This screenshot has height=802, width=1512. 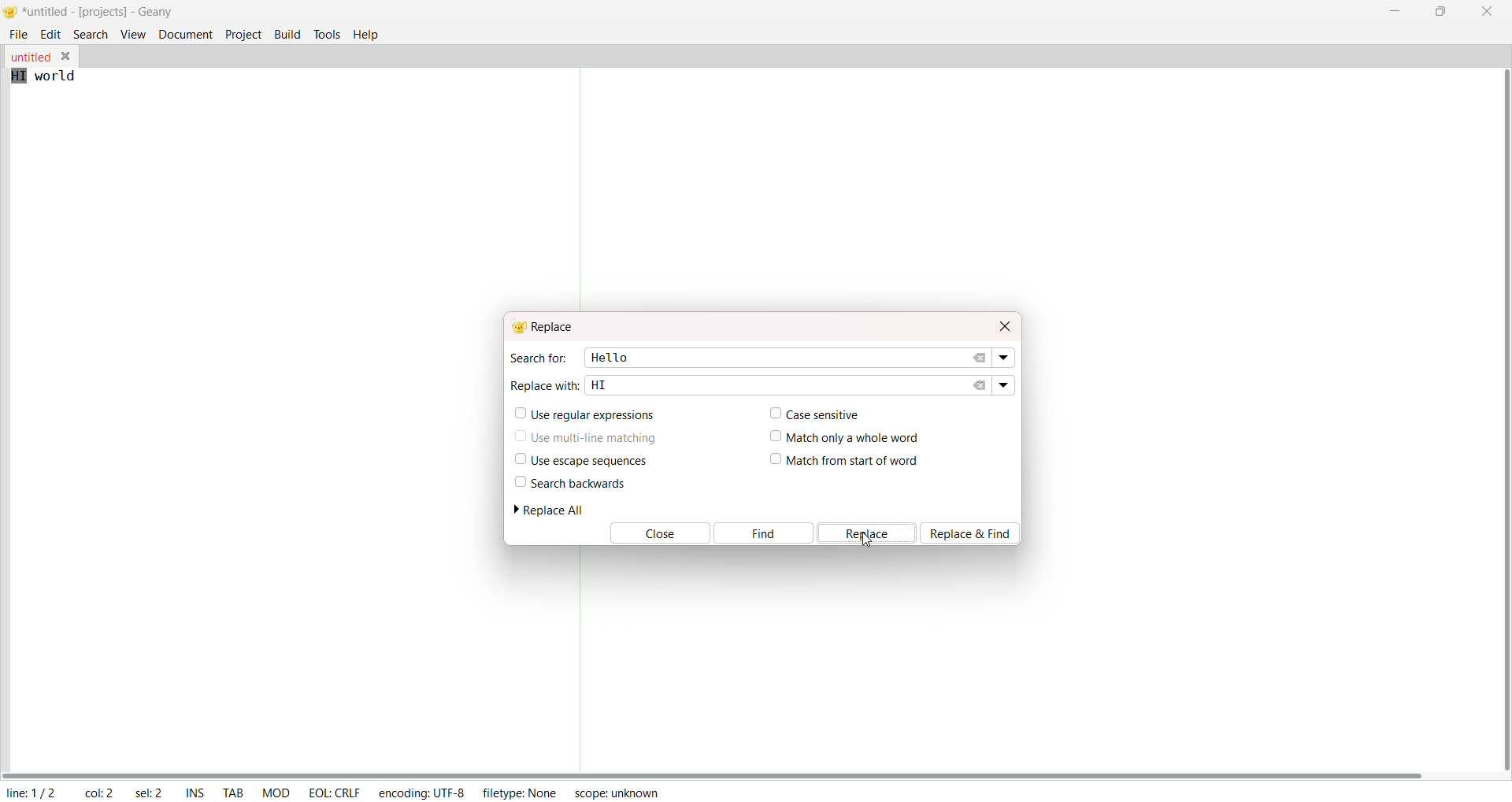 I want to click on replace with, so click(x=545, y=384).